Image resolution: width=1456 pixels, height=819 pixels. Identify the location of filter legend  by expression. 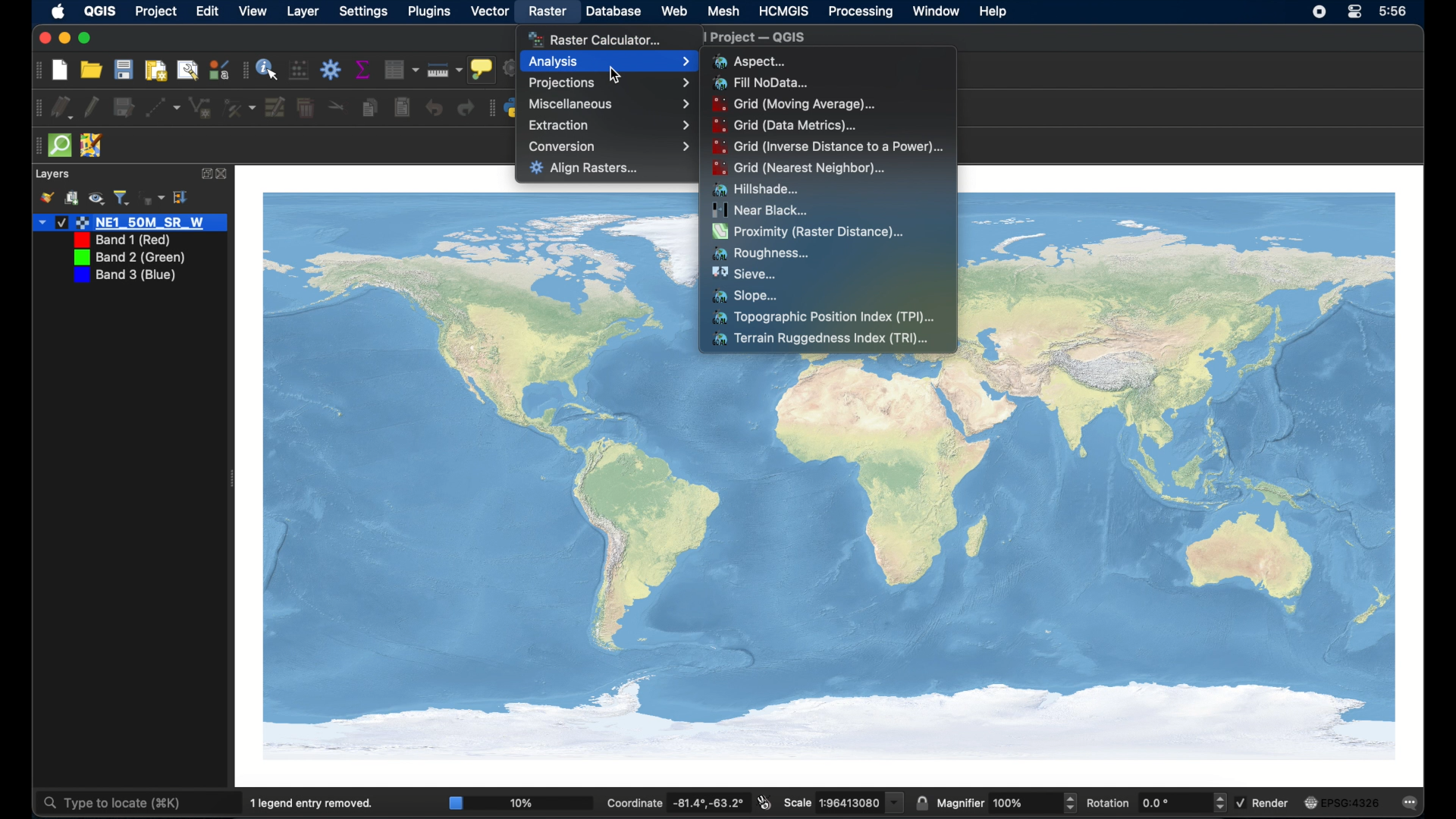
(152, 198).